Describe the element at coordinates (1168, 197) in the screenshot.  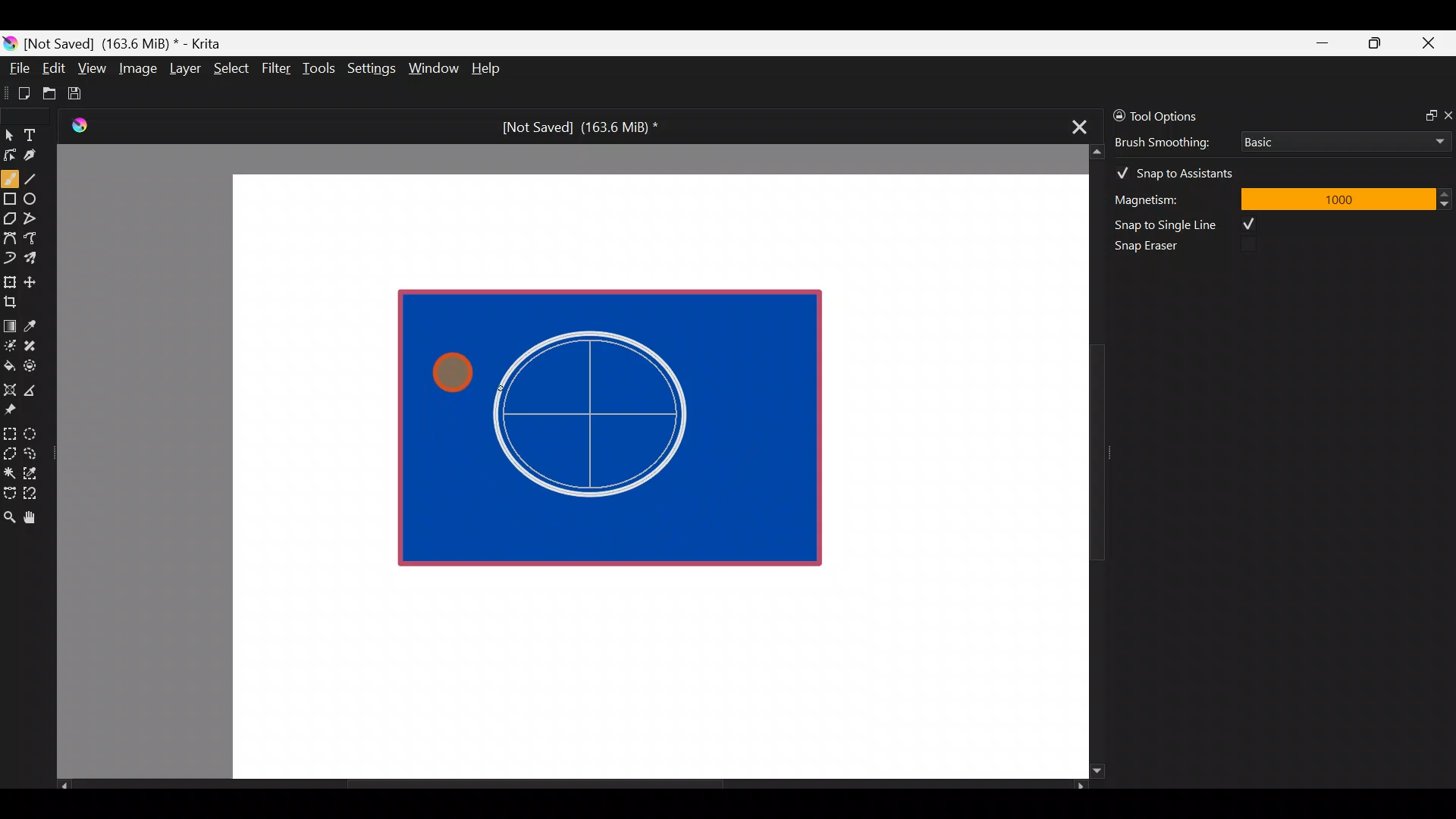
I see `Magnetism` at that location.